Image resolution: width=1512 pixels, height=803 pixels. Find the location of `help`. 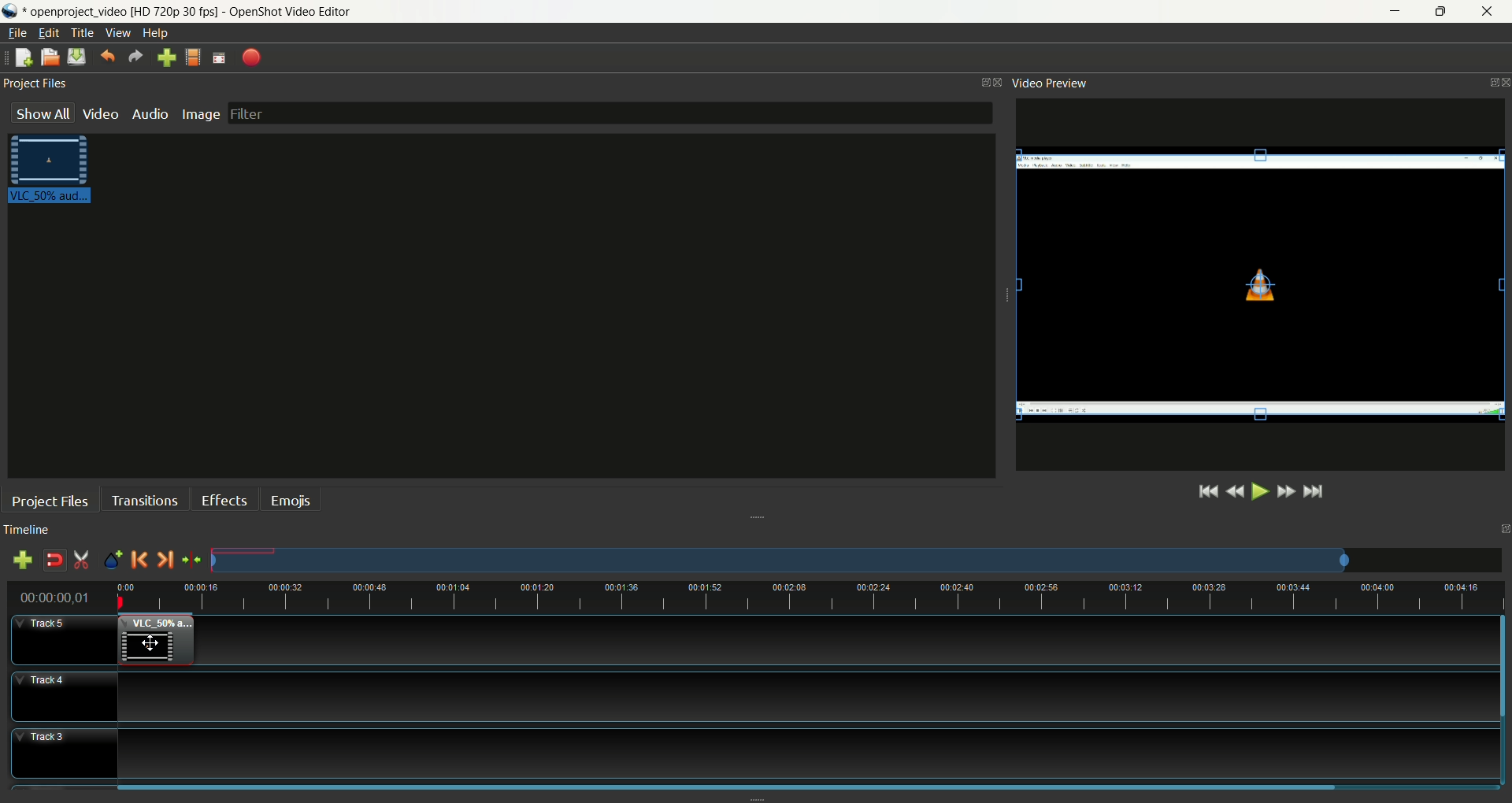

help is located at coordinates (157, 33).